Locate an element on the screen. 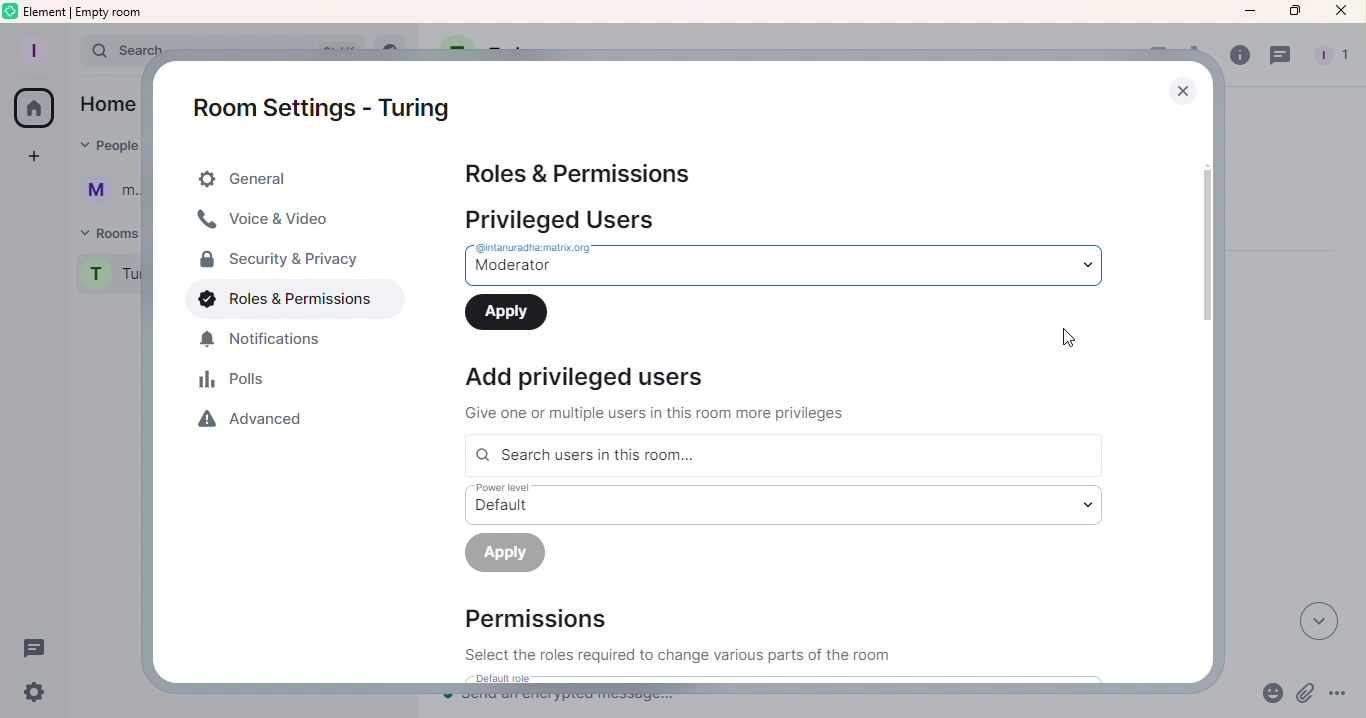  People is located at coordinates (110, 147).